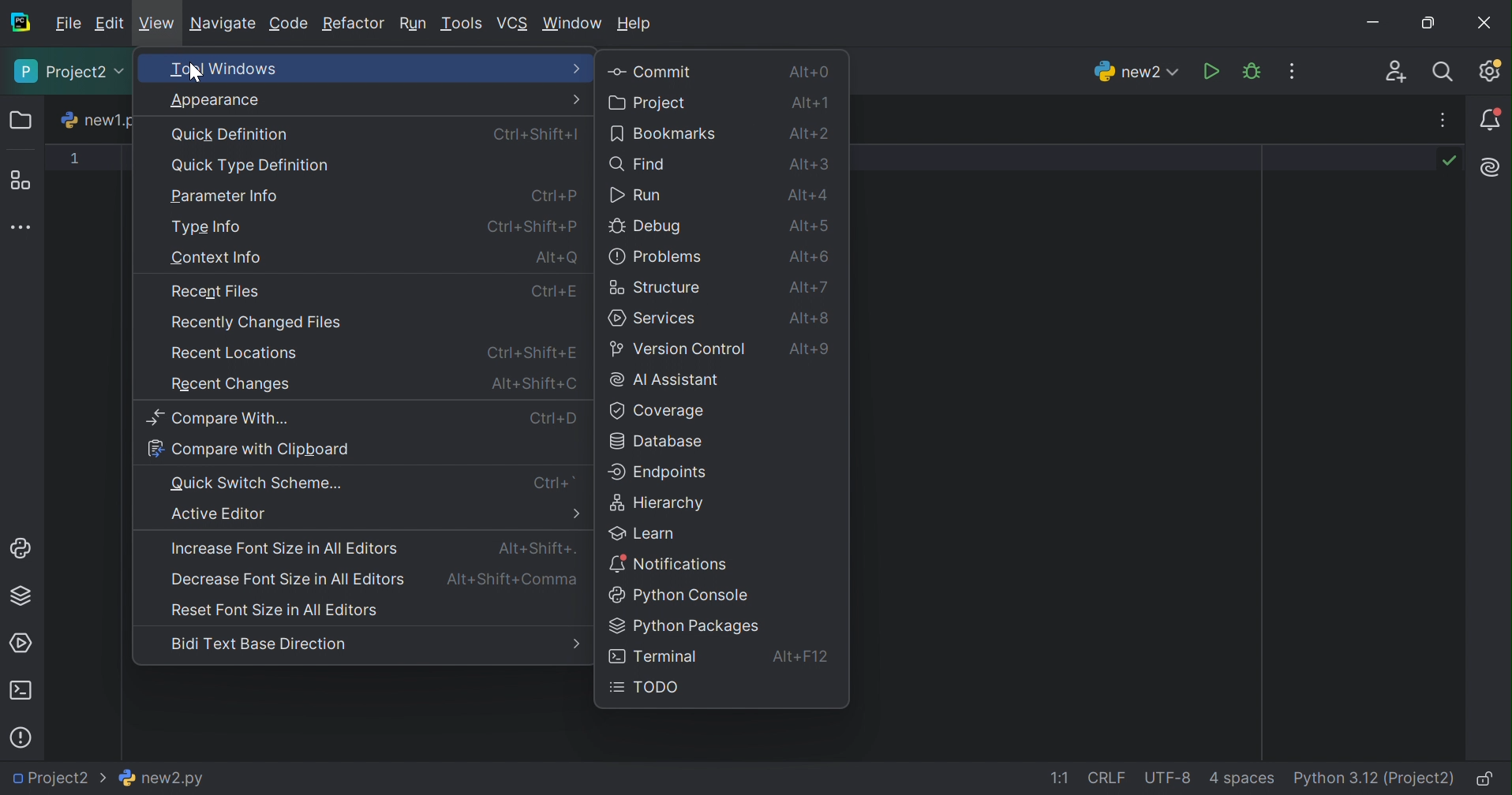  Describe the element at coordinates (21, 645) in the screenshot. I see `Services` at that location.